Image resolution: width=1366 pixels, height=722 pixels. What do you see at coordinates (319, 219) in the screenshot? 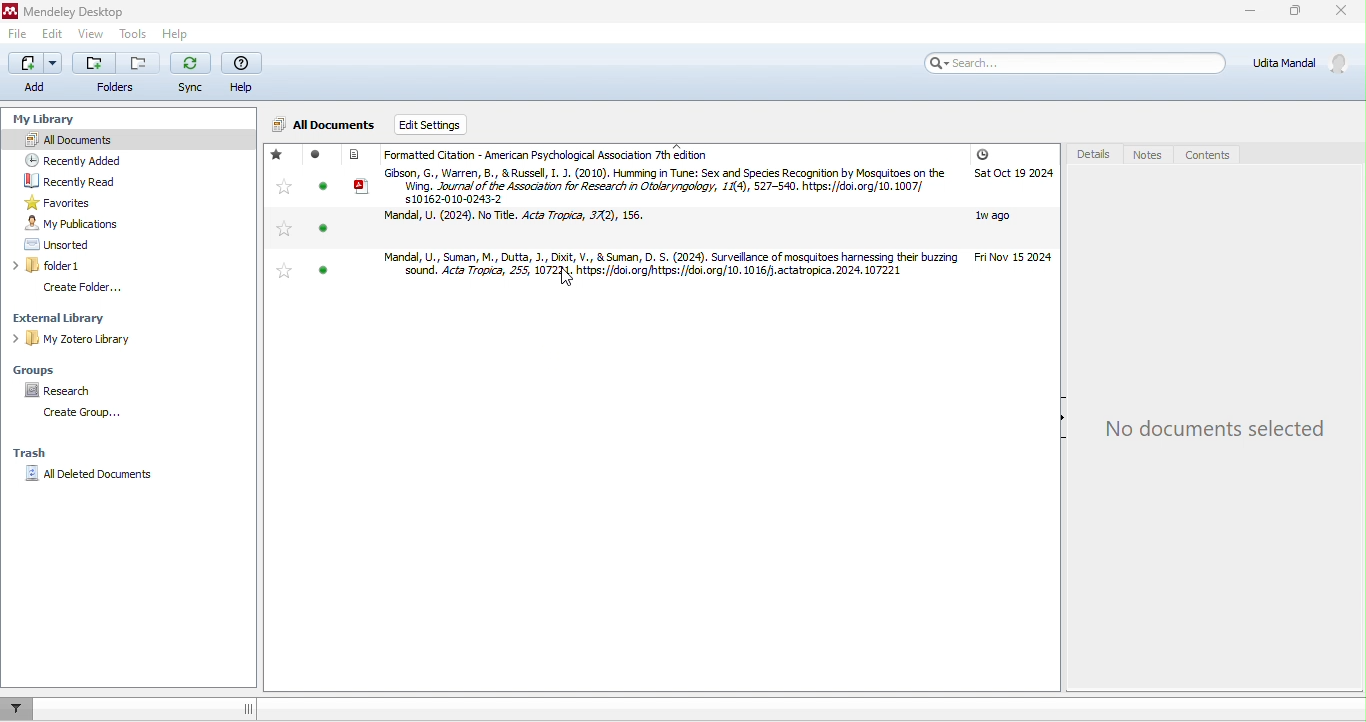
I see `read/unread` at bounding box center [319, 219].